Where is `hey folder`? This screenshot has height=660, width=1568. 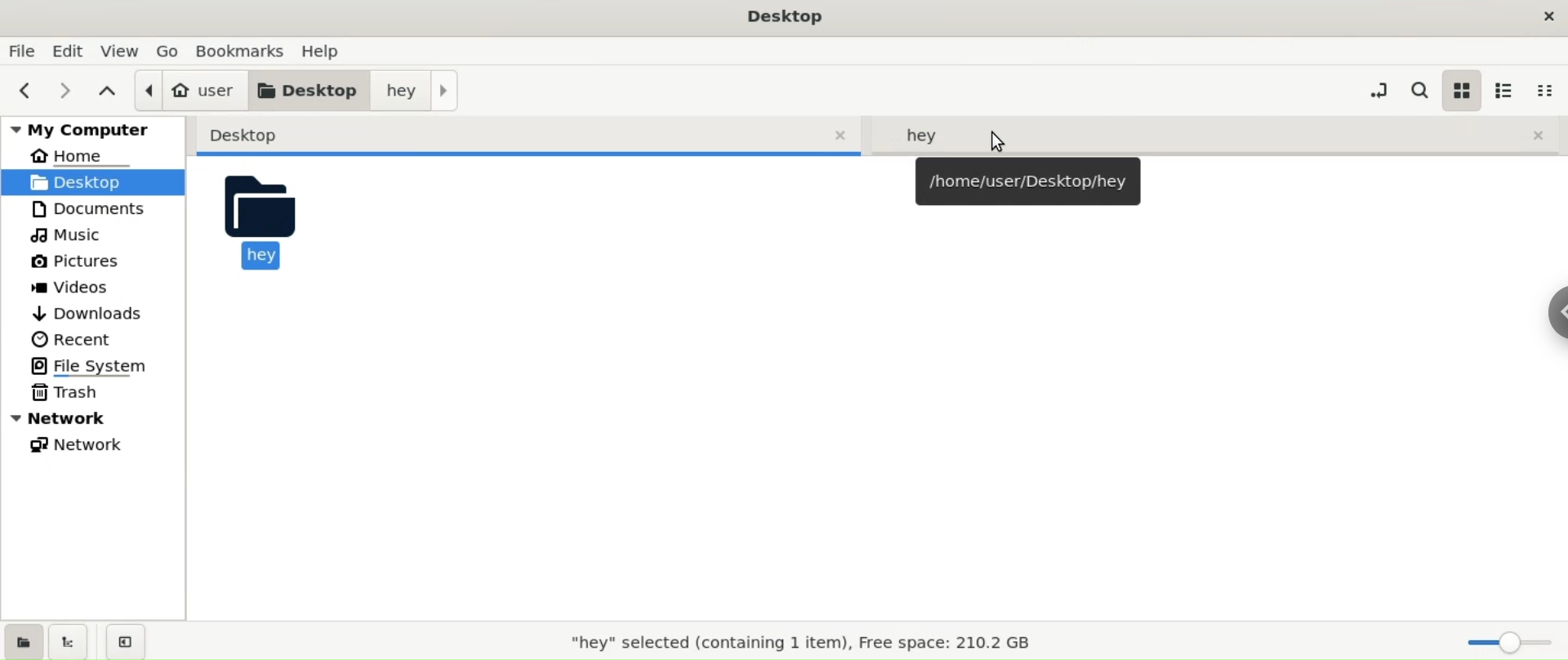 hey folder is located at coordinates (1217, 133).